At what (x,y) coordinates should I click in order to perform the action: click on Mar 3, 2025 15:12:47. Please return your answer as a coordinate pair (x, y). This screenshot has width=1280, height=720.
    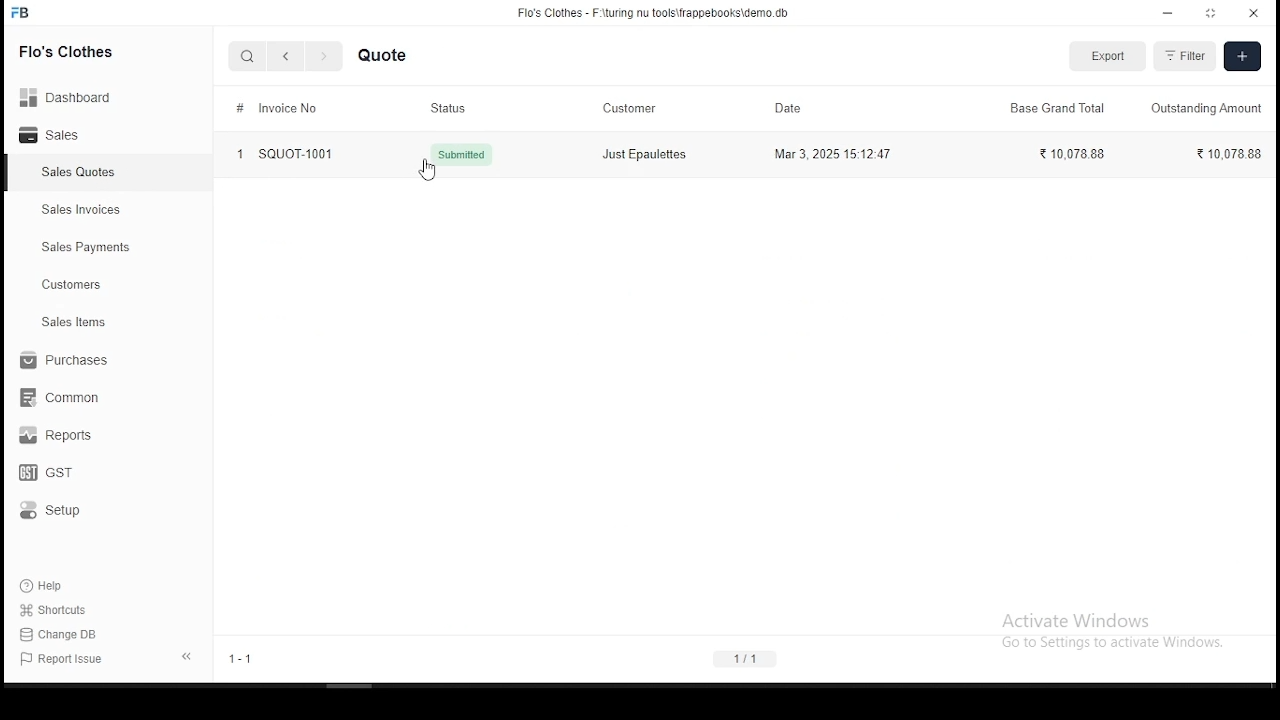
    Looking at the image, I should click on (846, 156).